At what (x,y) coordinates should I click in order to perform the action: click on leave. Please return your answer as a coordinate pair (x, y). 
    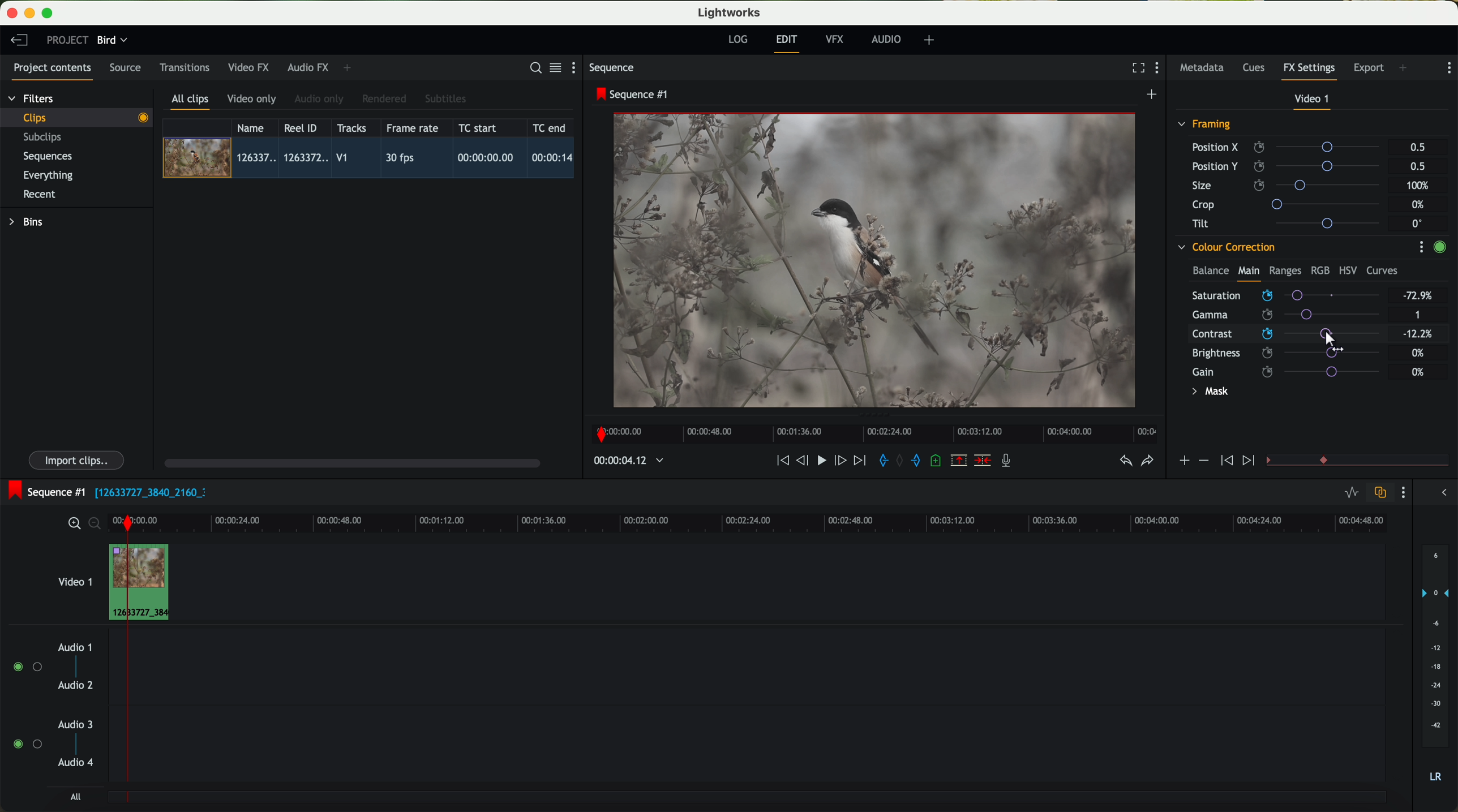
    Looking at the image, I should click on (19, 41).